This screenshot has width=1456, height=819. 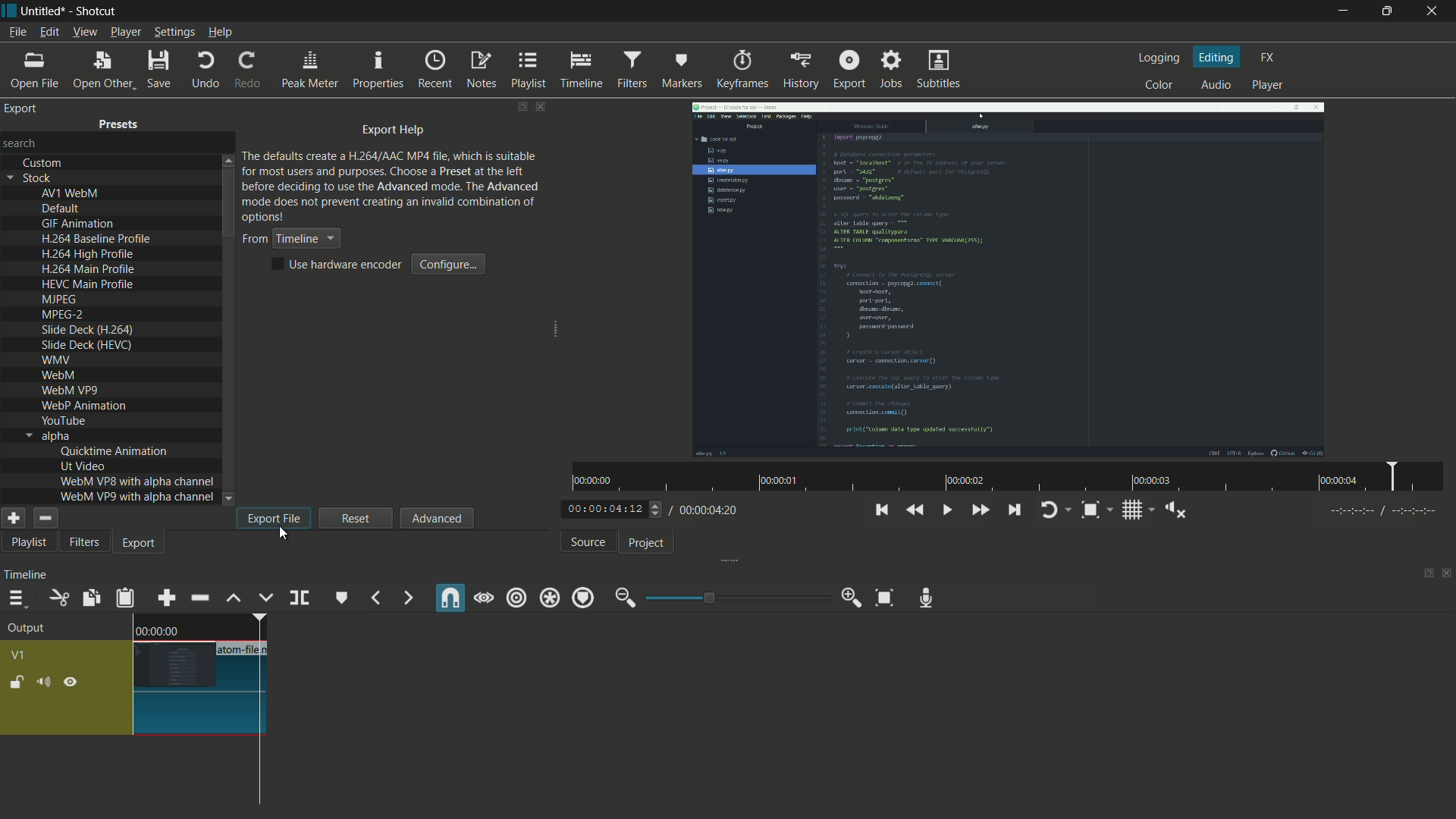 What do you see at coordinates (88, 598) in the screenshot?
I see `copy` at bounding box center [88, 598].